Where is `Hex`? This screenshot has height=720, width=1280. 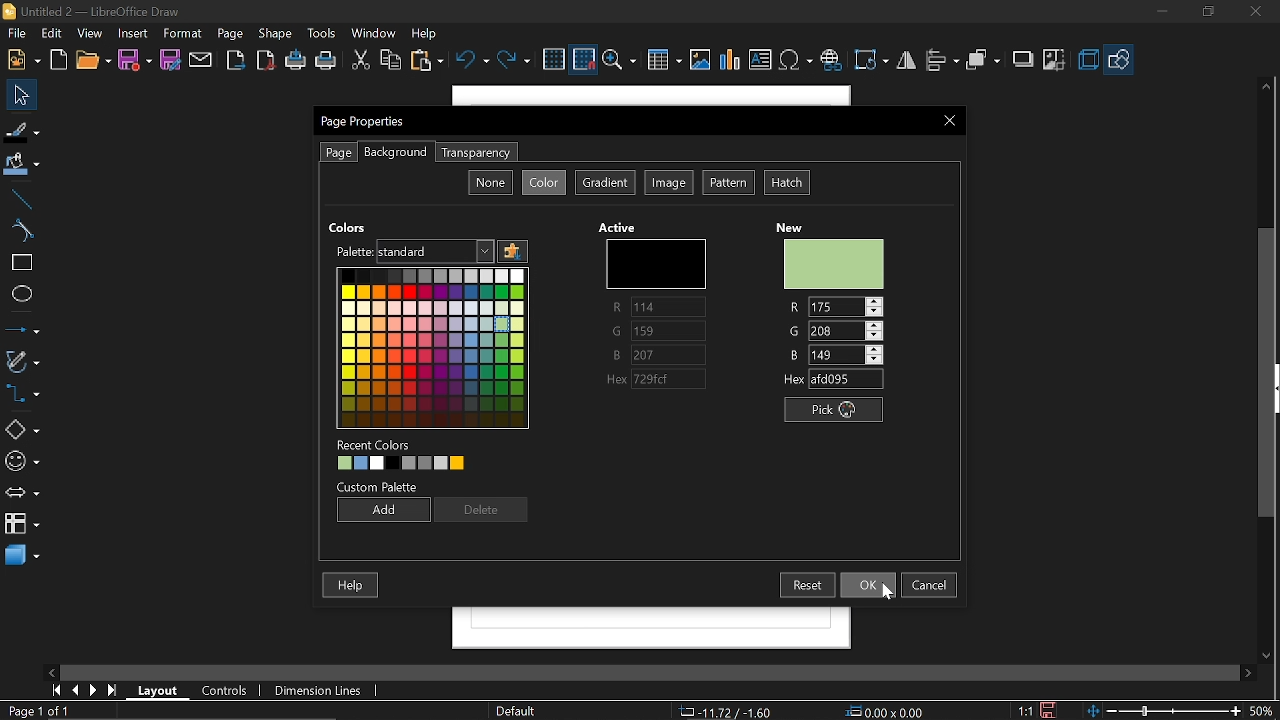
Hex is located at coordinates (834, 380).